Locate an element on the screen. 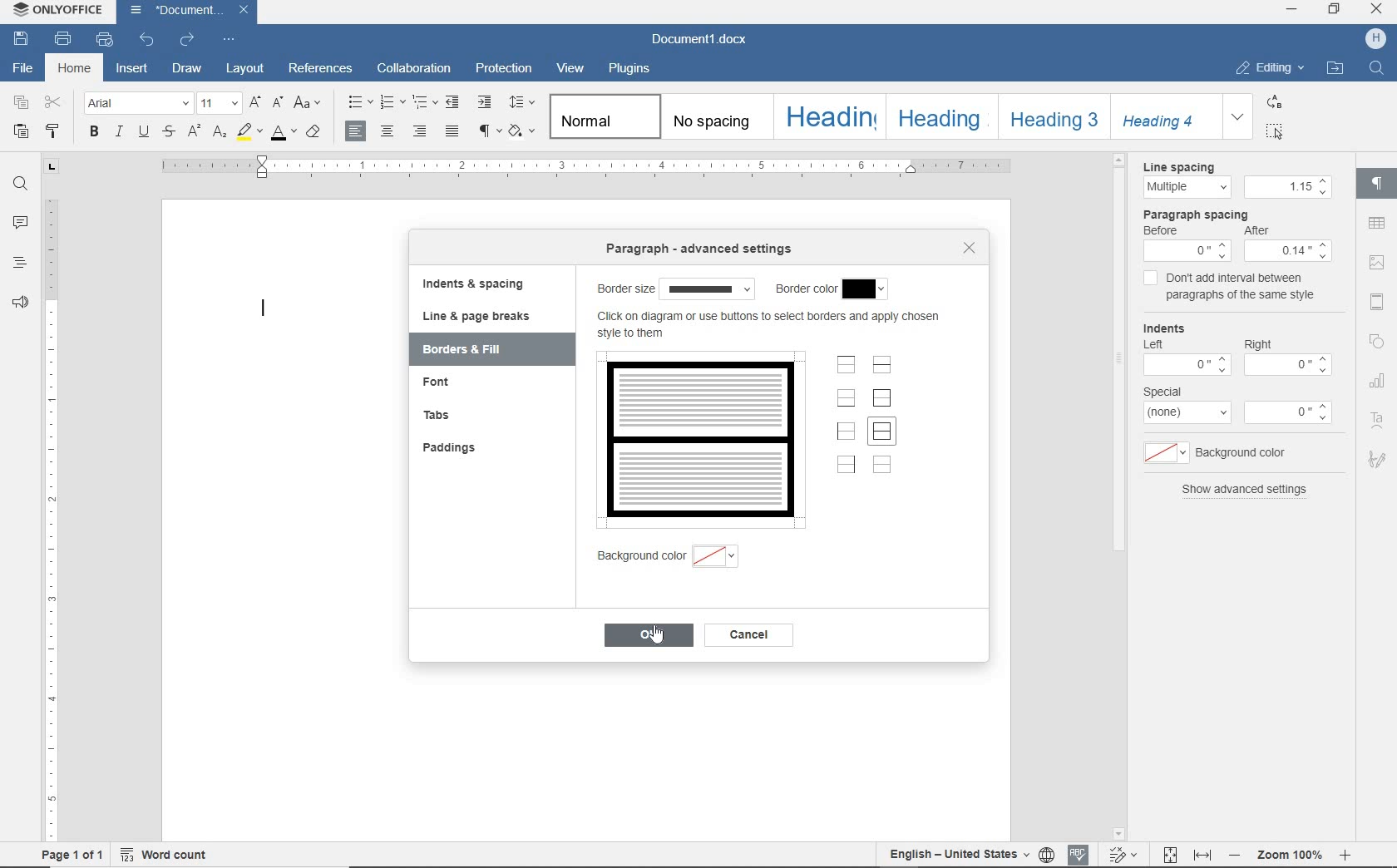  borders & fill is located at coordinates (475, 350).